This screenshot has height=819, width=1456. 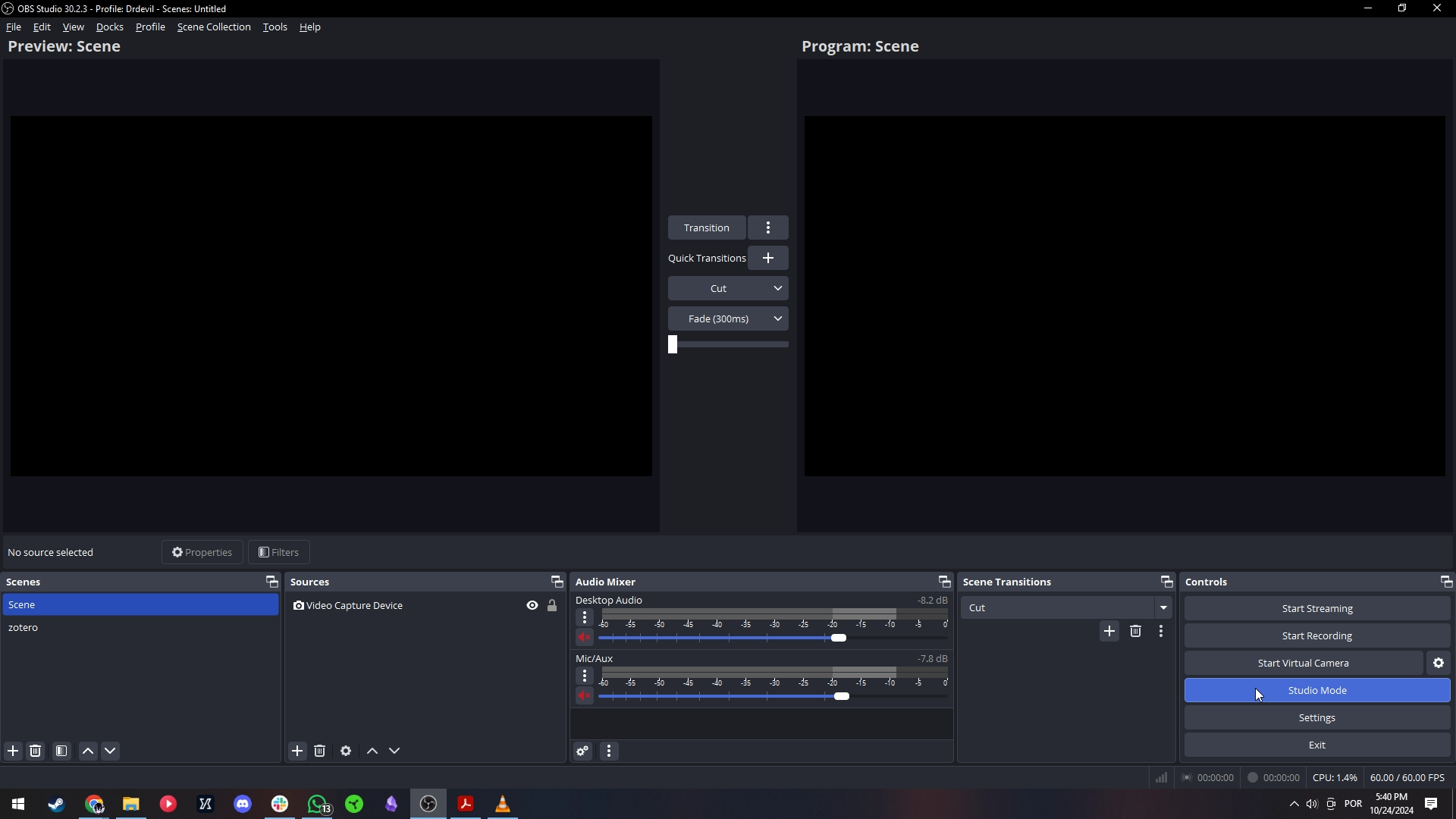 I want to click on sound, so click(x=1310, y=805).